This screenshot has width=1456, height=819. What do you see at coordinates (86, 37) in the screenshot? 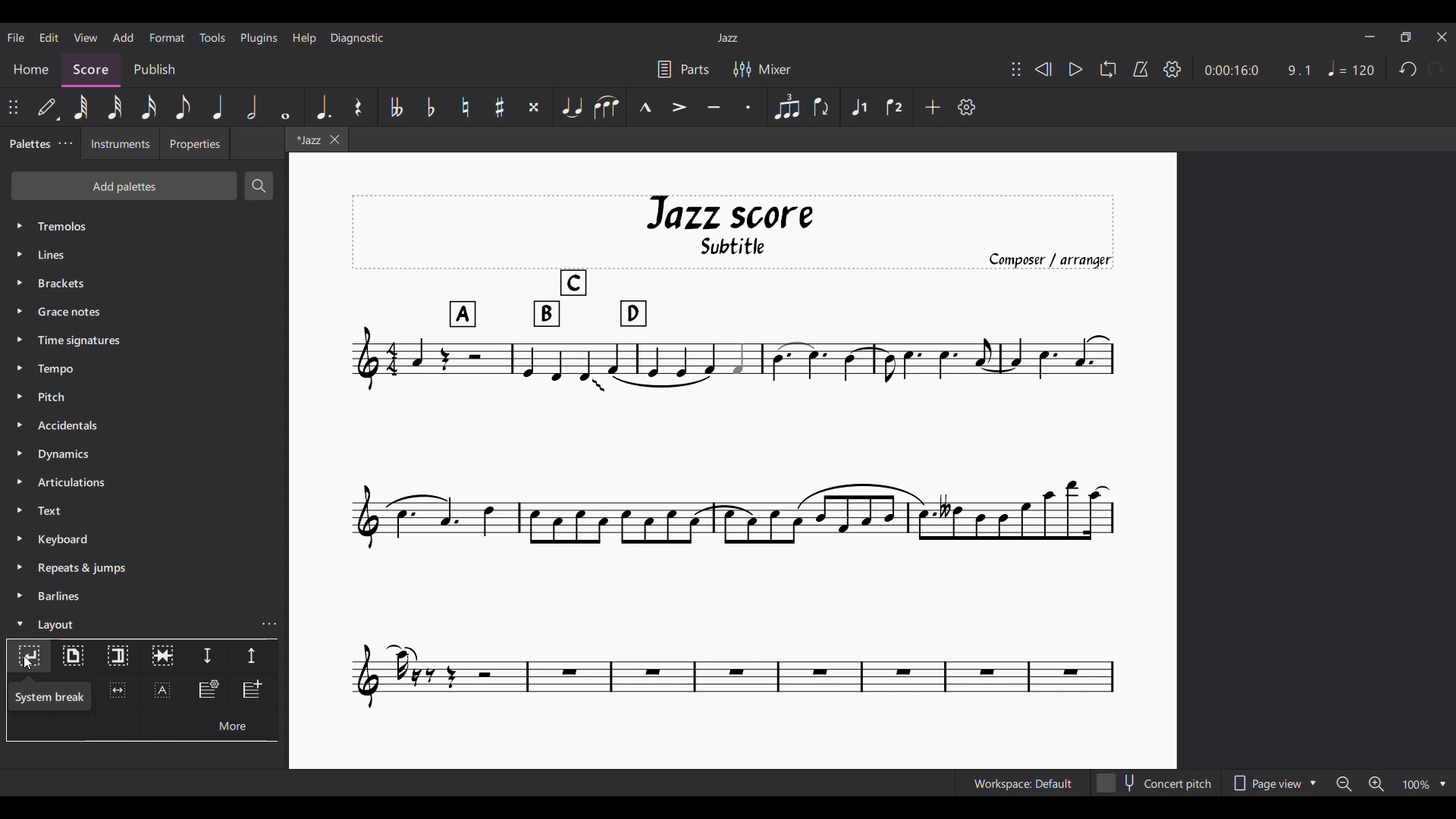
I see `View menu` at bounding box center [86, 37].